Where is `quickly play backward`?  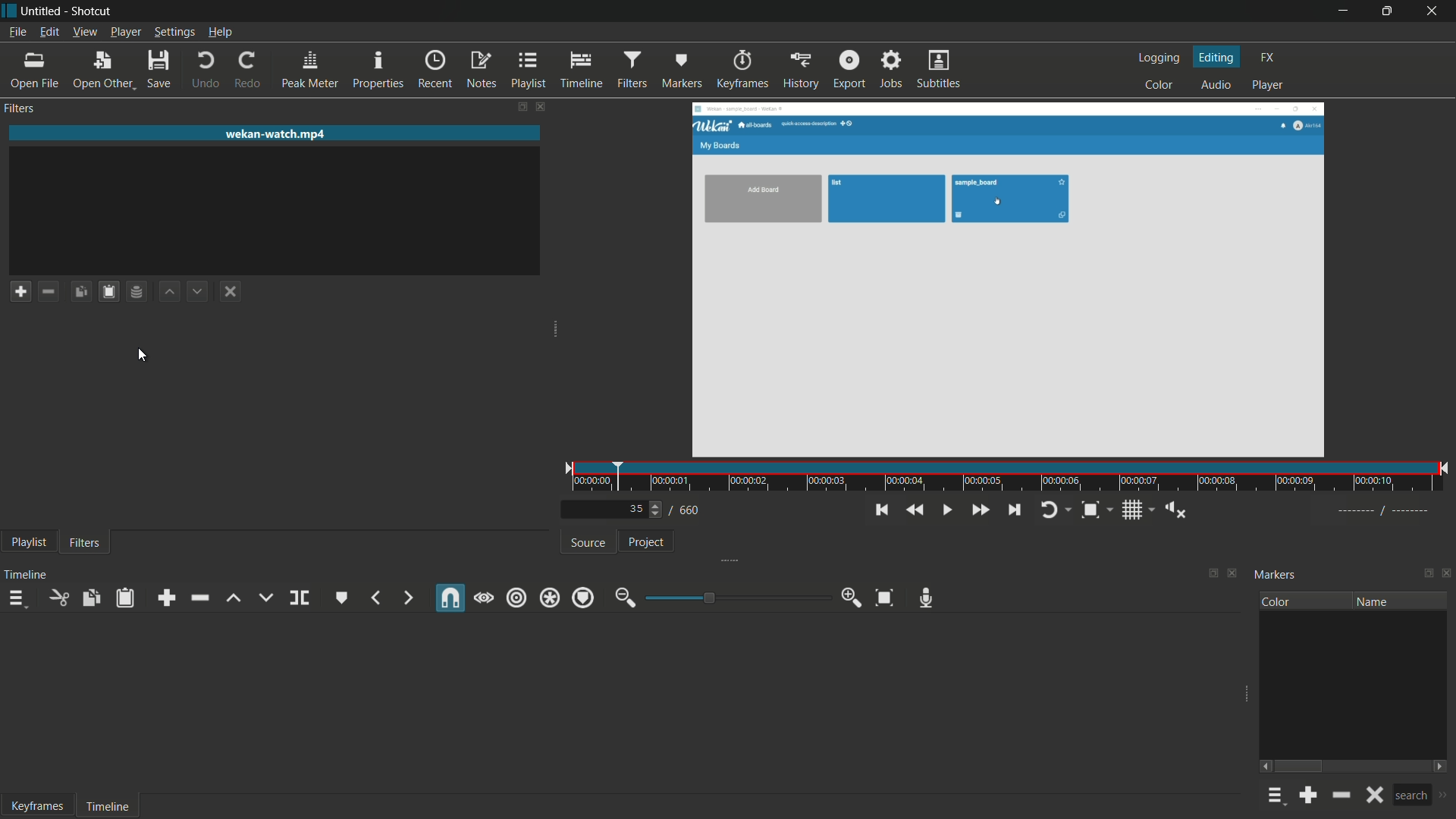
quickly play backward is located at coordinates (913, 510).